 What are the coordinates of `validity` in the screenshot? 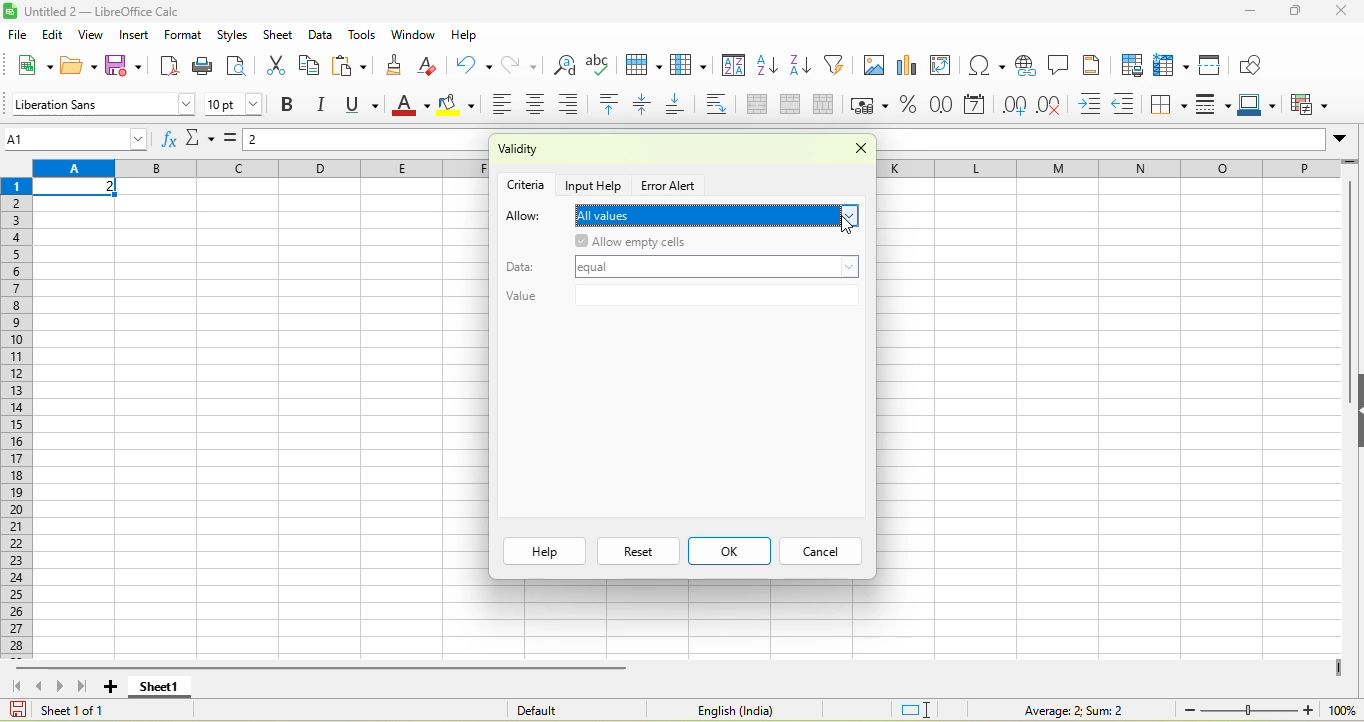 It's located at (572, 151).